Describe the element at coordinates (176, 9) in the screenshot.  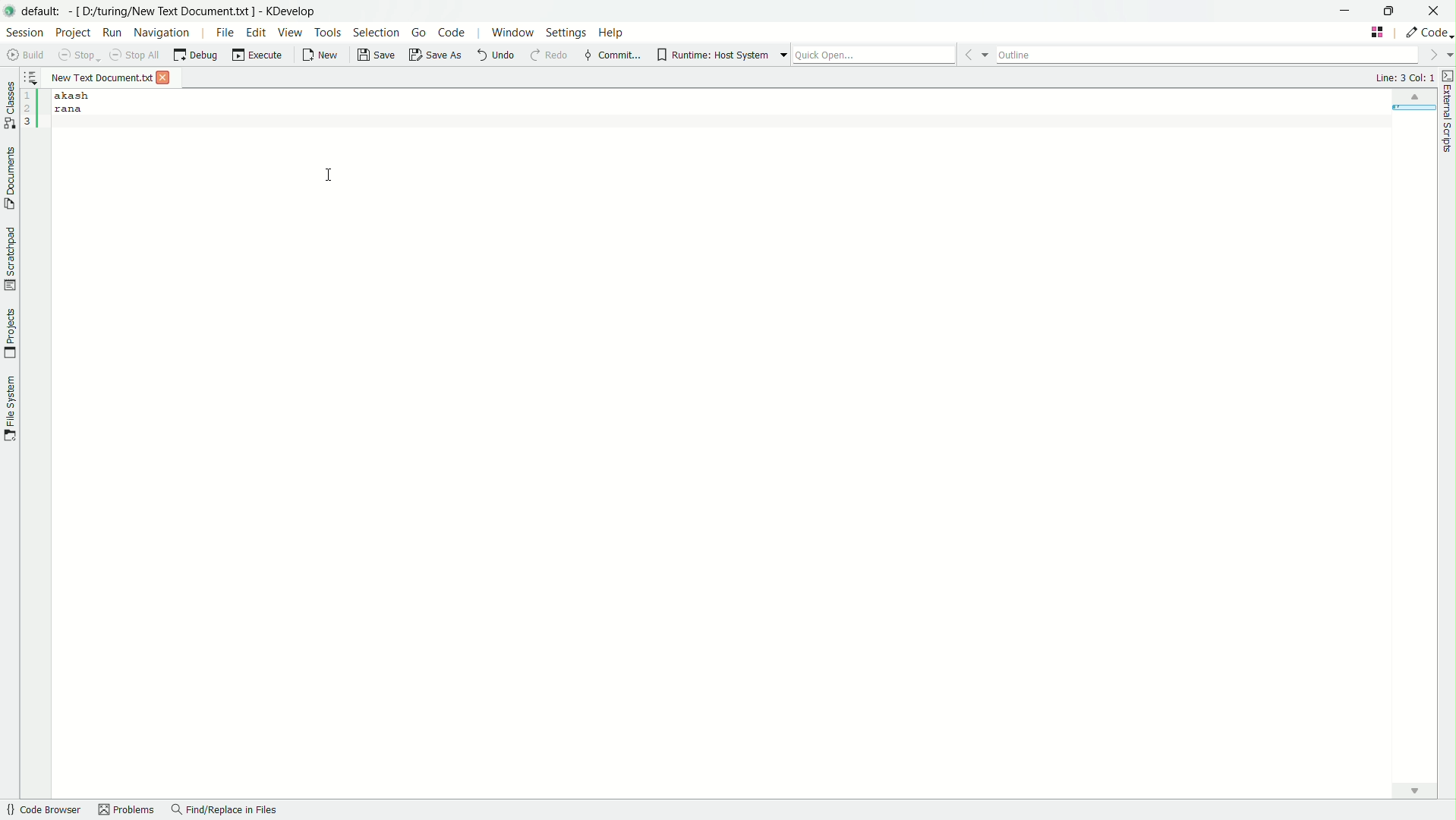
I see `default: - [ D:/turing/New Text Document.txt ] - KDevelop` at that location.